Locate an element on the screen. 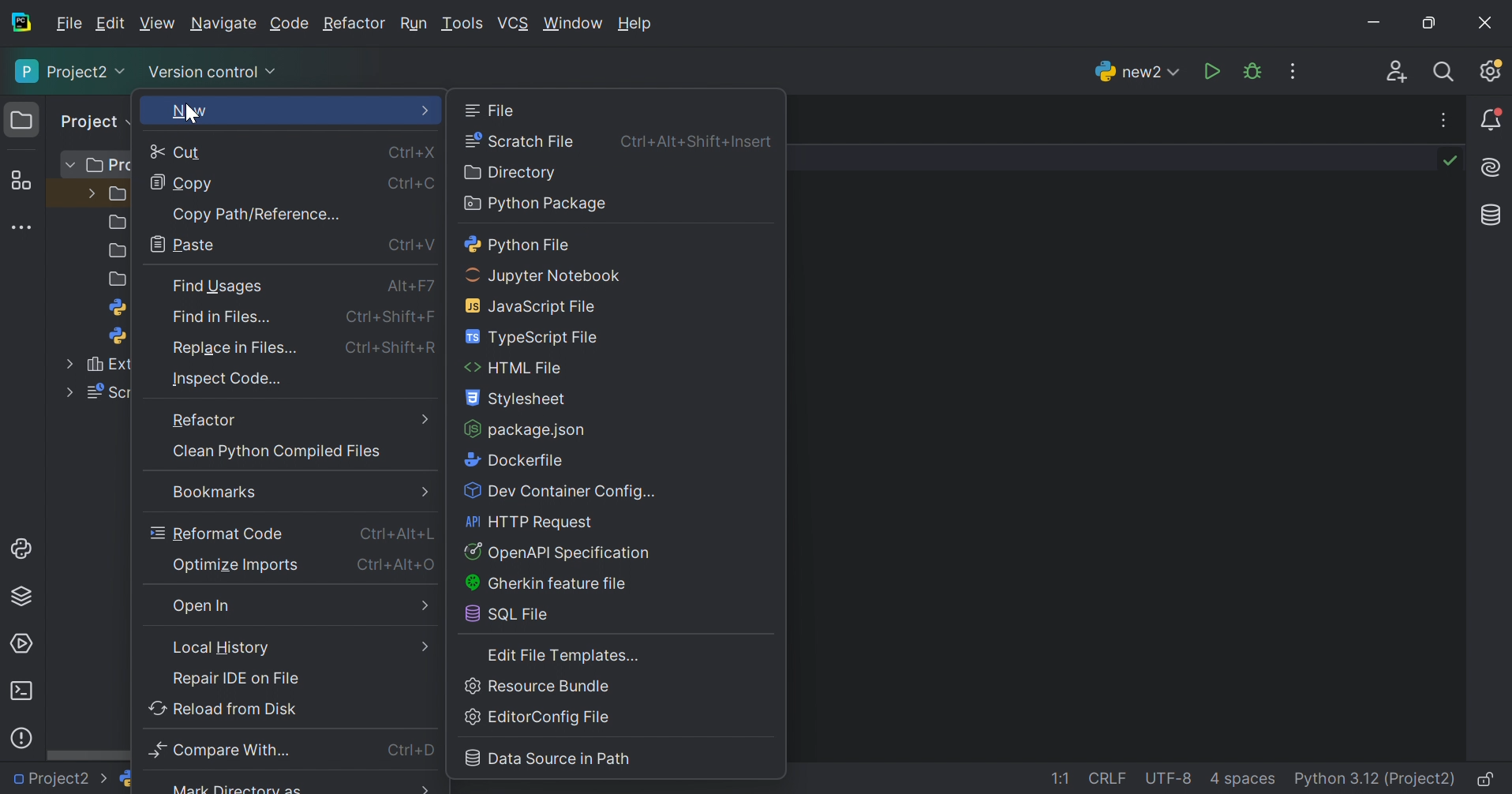  Project is located at coordinates (91, 121).